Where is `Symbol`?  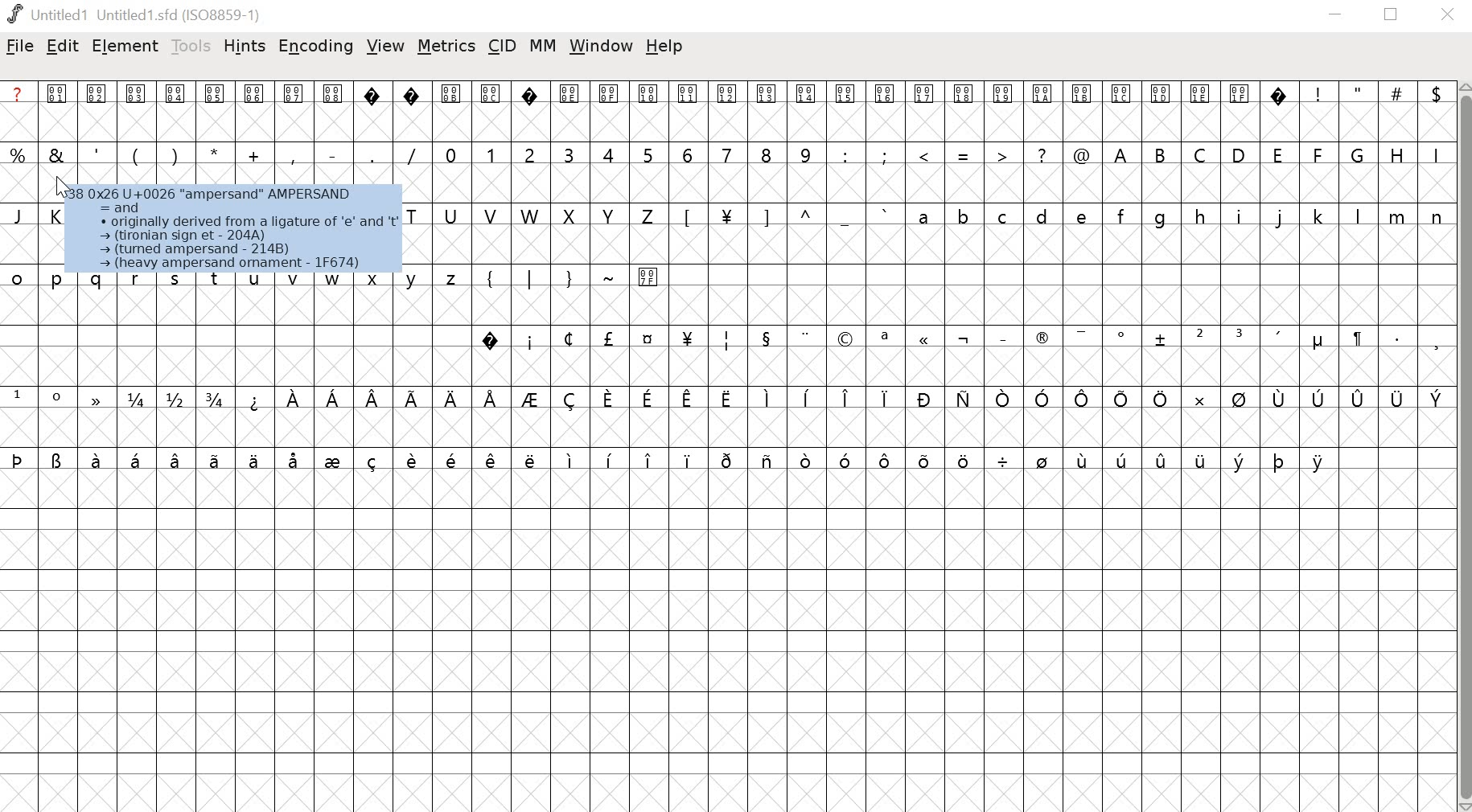
Symbol is located at coordinates (1042, 340).